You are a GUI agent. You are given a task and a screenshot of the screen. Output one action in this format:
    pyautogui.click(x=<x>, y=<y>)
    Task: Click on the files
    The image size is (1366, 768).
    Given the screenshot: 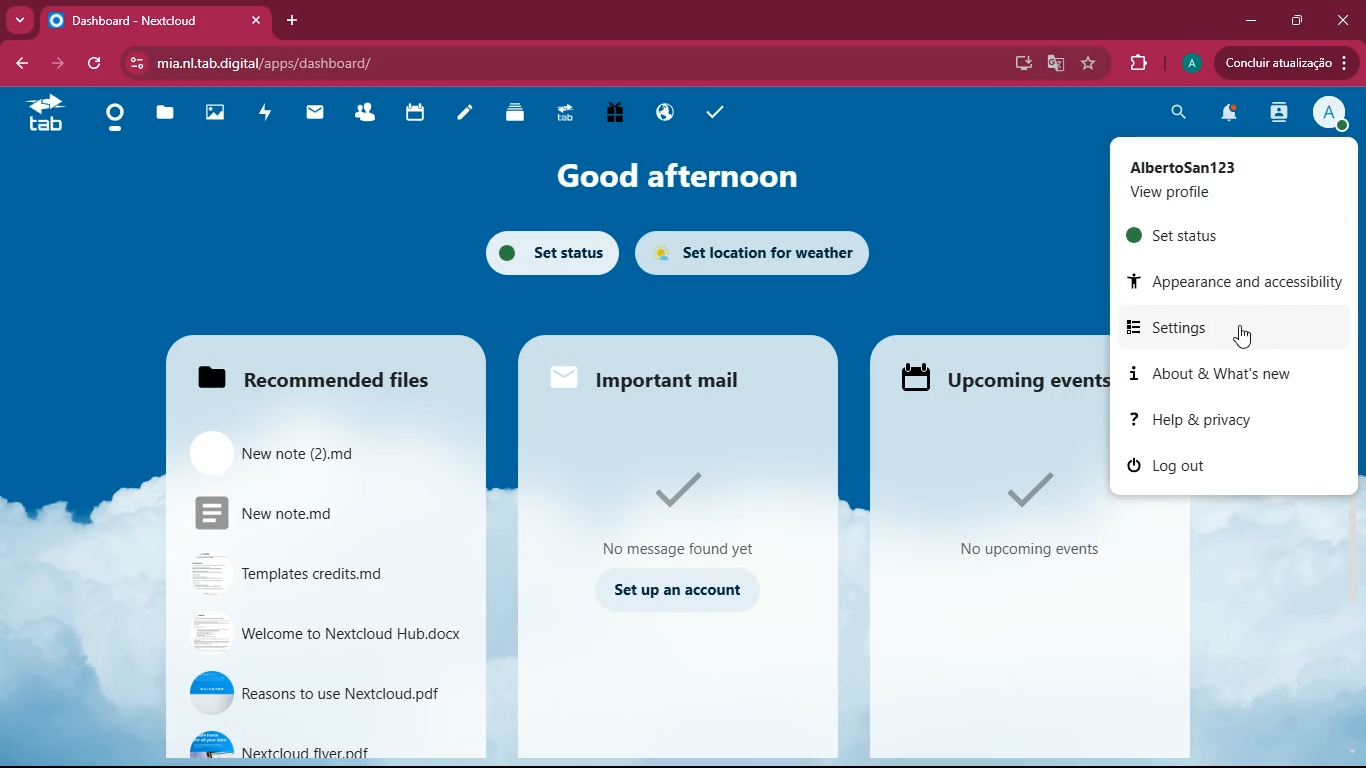 What is the action you would take?
    pyautogui.click(x=165, y=114)
    